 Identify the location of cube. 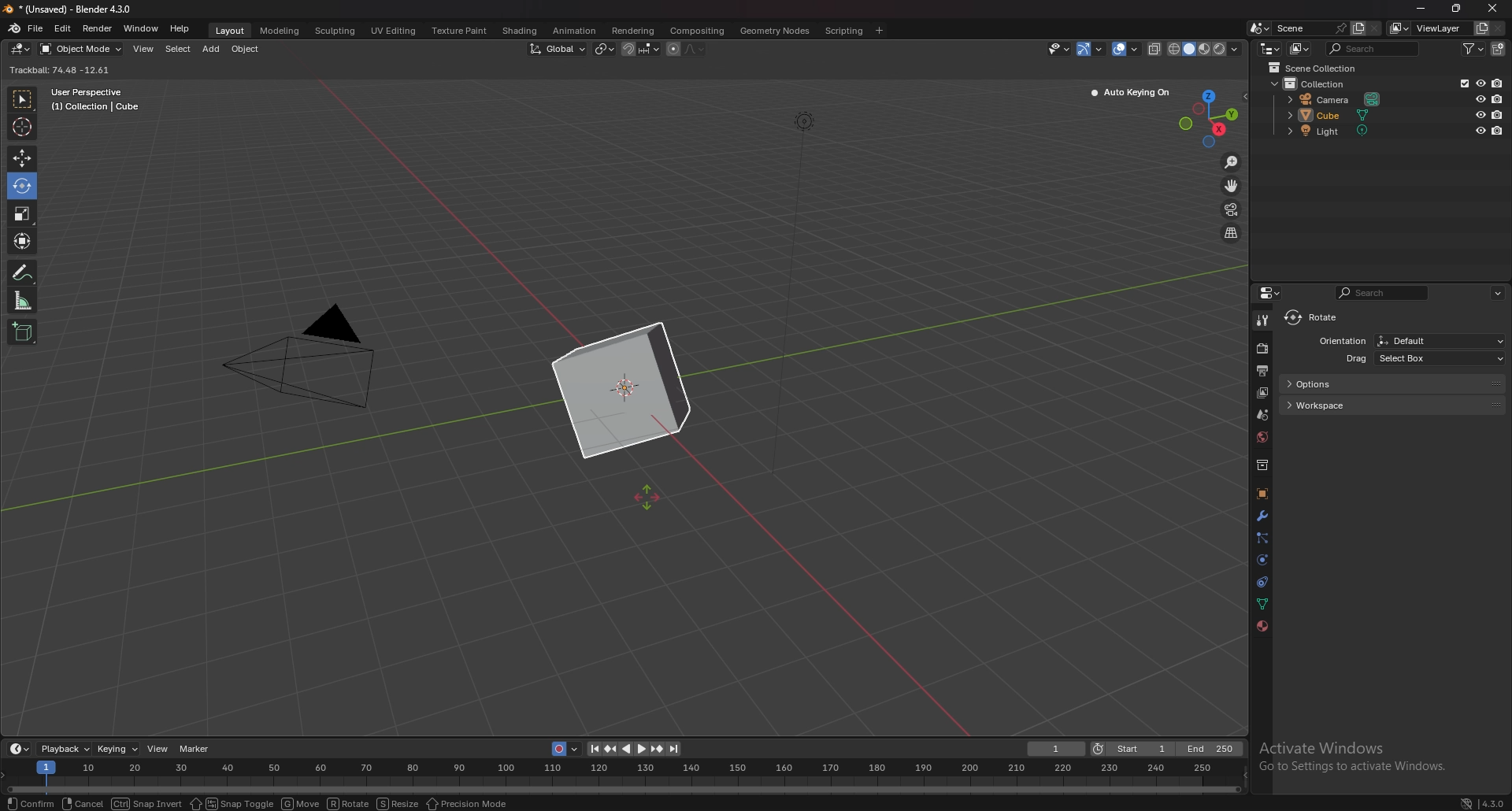
(1339, 114).